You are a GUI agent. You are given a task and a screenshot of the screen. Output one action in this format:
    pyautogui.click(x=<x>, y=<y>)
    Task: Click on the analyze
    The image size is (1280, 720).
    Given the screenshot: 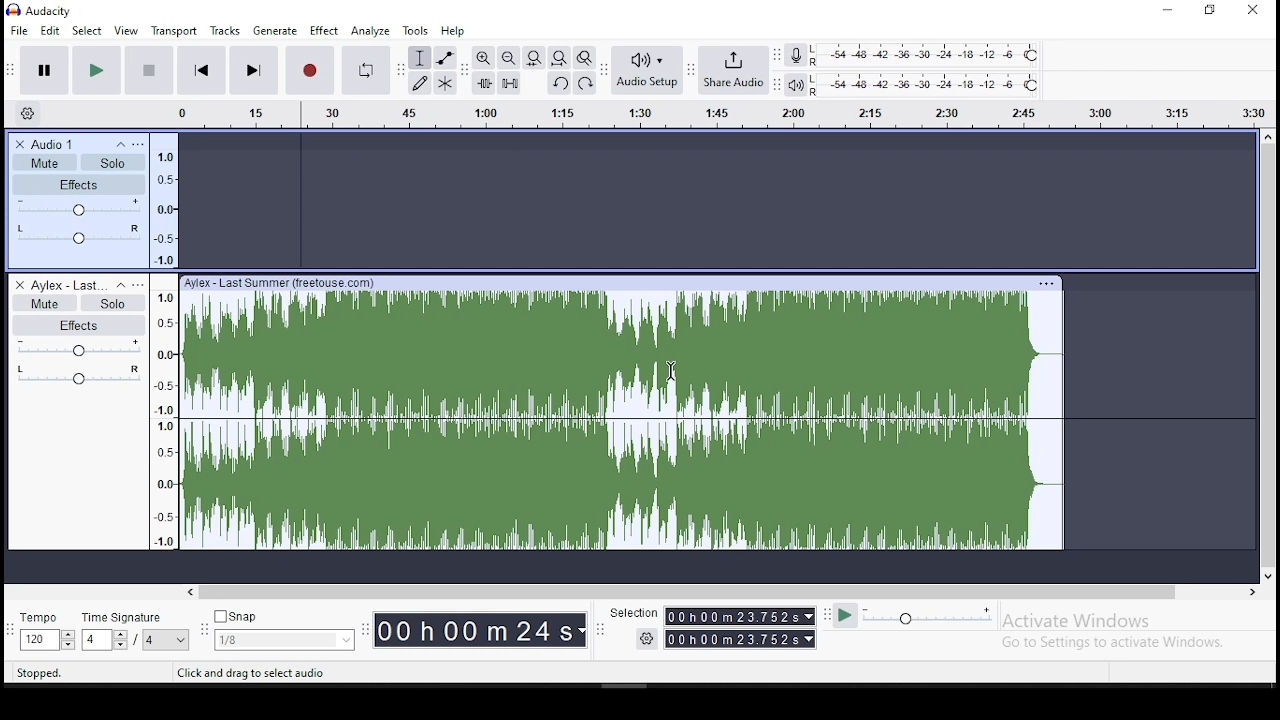 What is the action you would take?
    pyautogui.click(x=371, y=30)
    